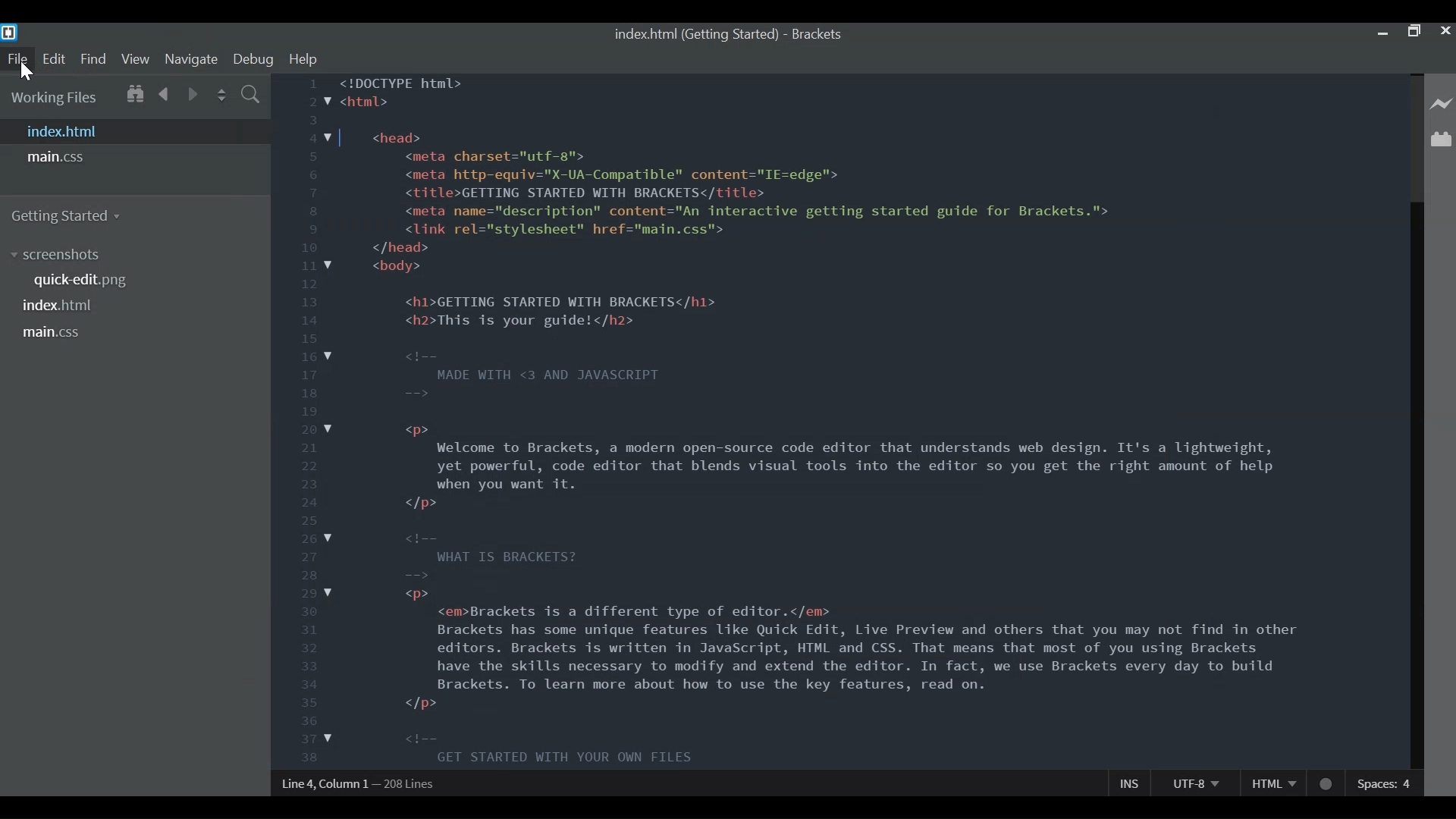 Image resolution: width=1456 pixels, height=819 pixels. I want to click on Navigate, so click(190, 60).